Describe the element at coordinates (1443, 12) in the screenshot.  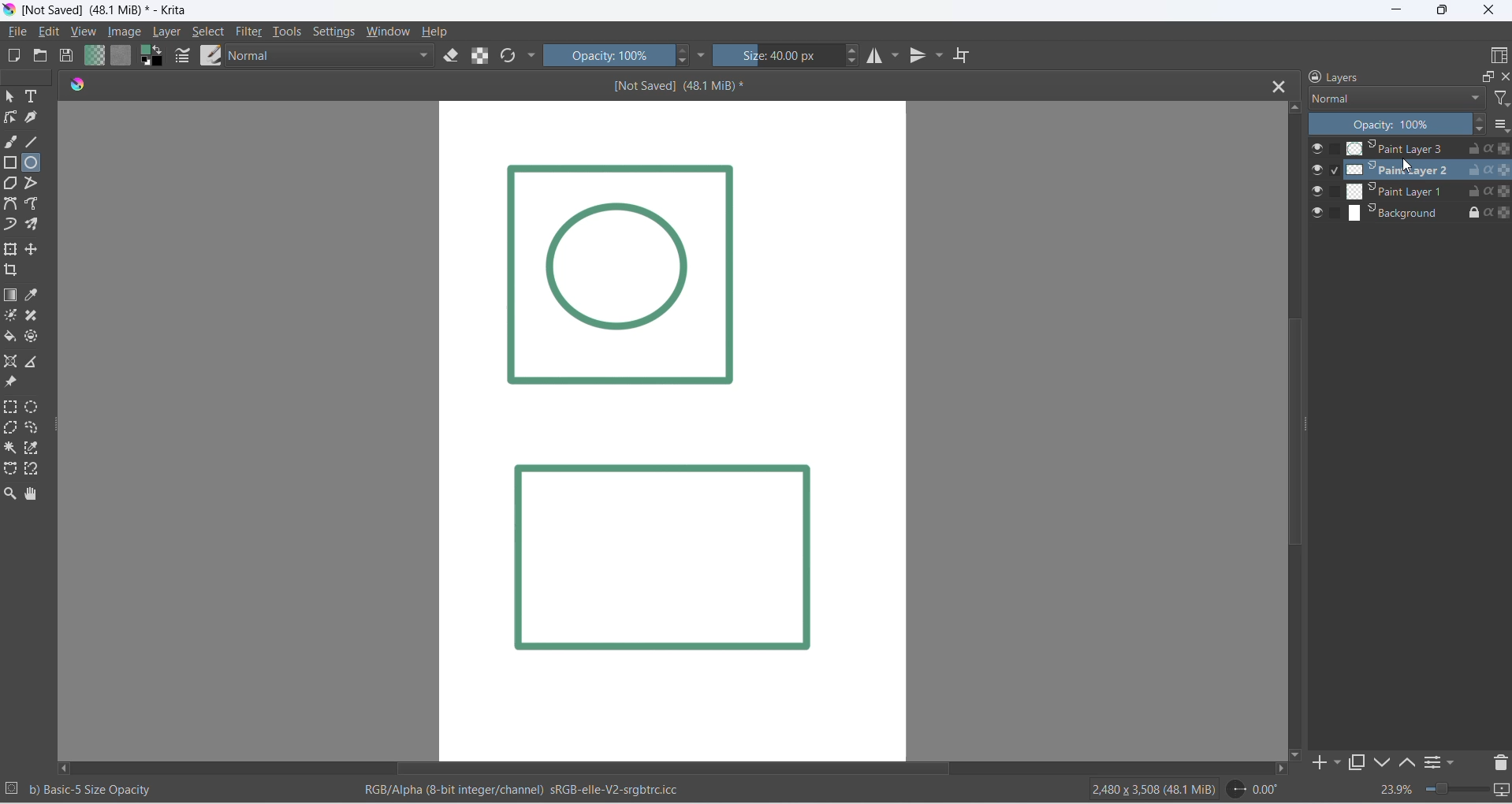
I see `maximize` at that location.